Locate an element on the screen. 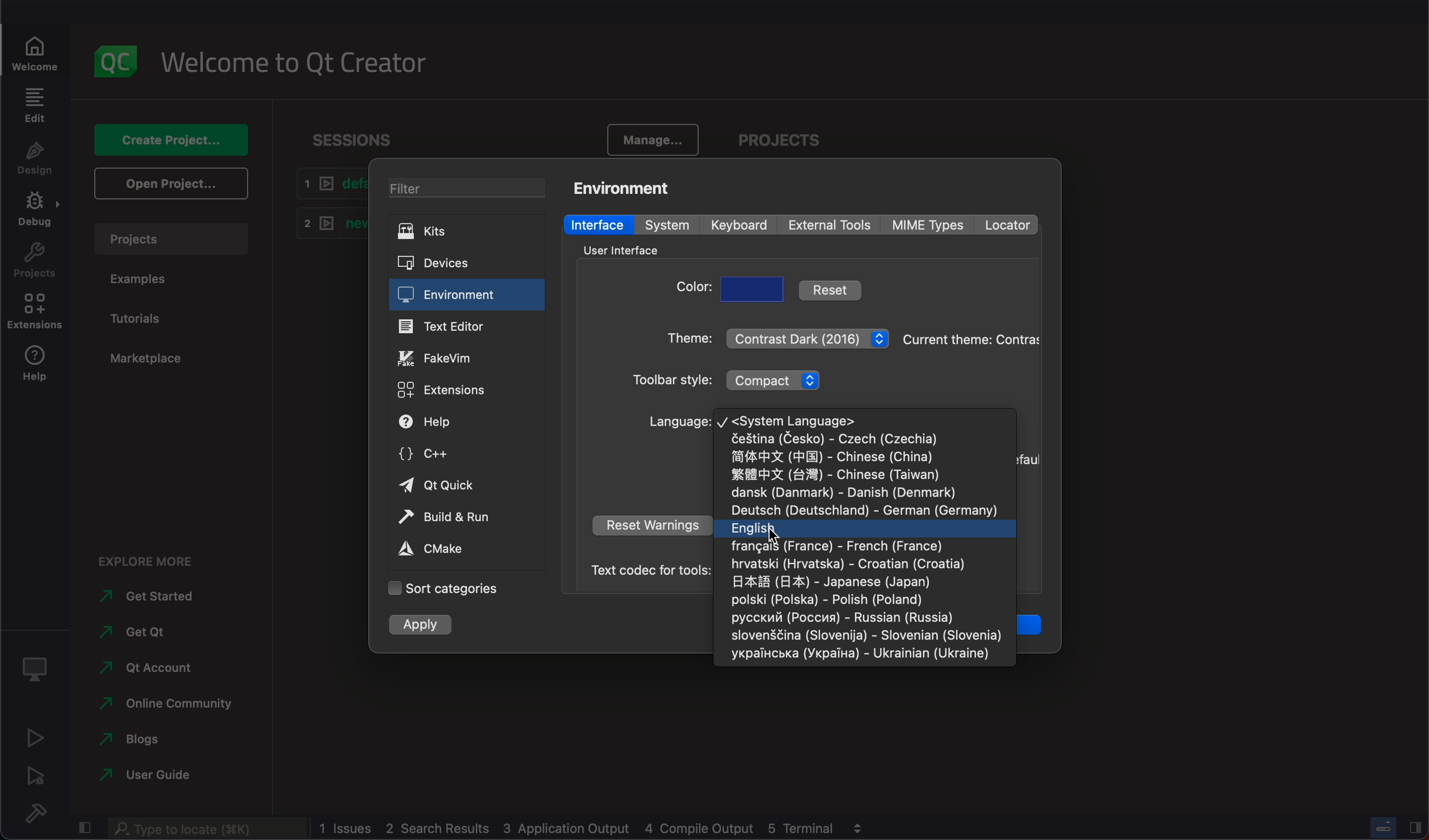  create is located at coordinates (164, 141).